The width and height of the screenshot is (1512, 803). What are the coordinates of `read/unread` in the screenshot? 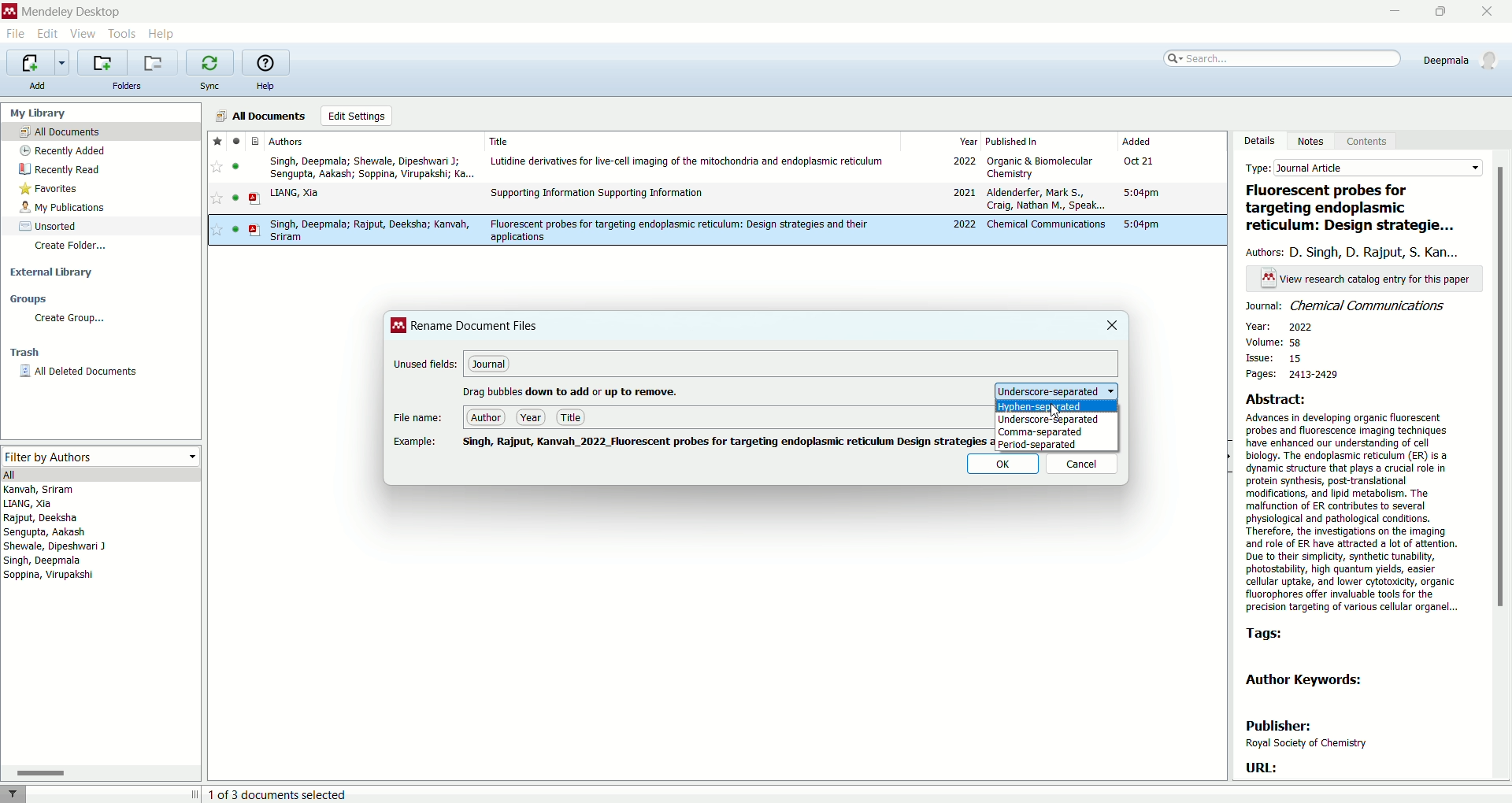 It's located at (235, 200).